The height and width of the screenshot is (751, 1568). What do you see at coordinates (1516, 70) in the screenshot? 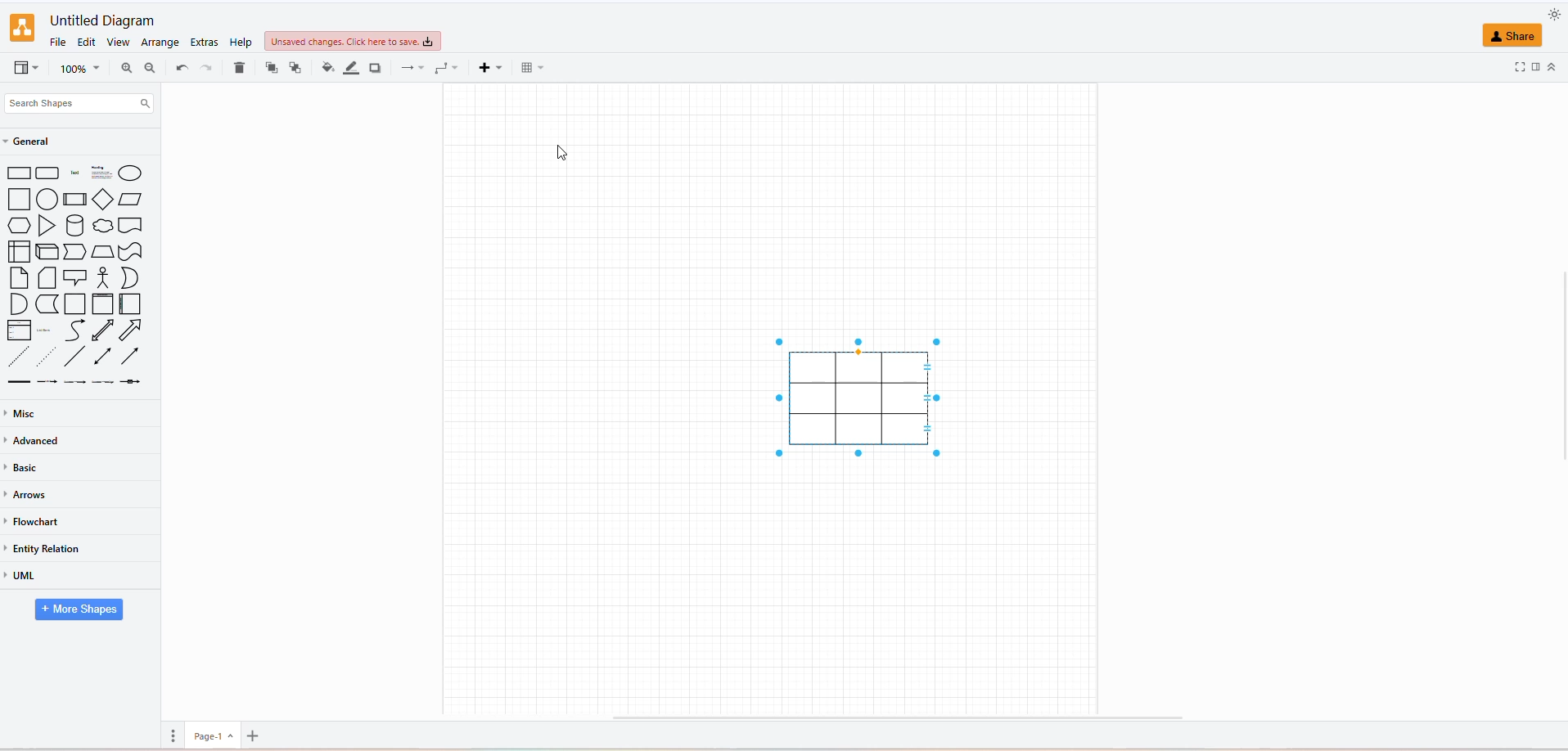
I see `fullscreen` at bounding box center [1516, 70].